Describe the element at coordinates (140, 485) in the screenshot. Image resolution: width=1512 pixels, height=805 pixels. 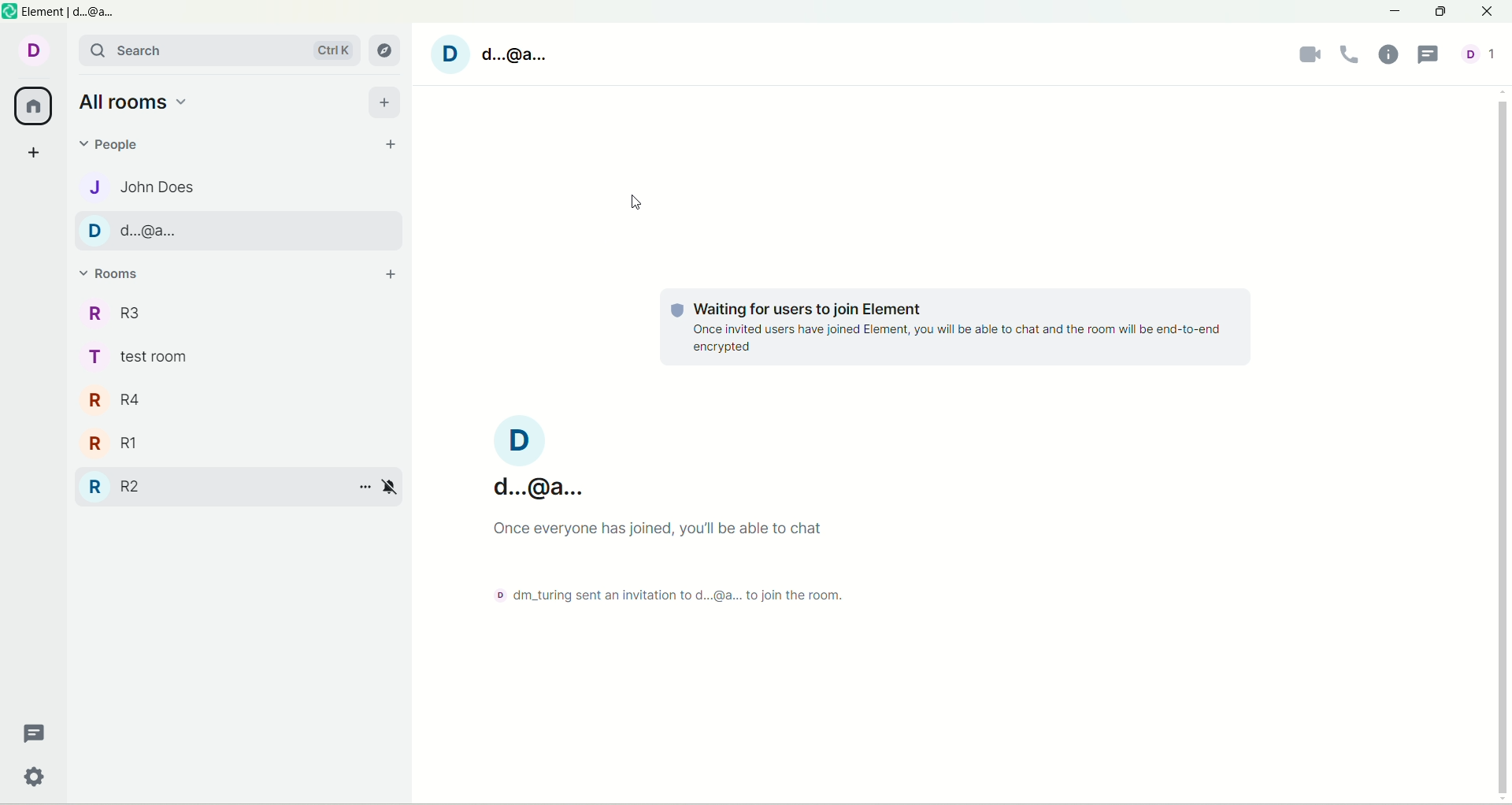
I see `room 1` at that location.